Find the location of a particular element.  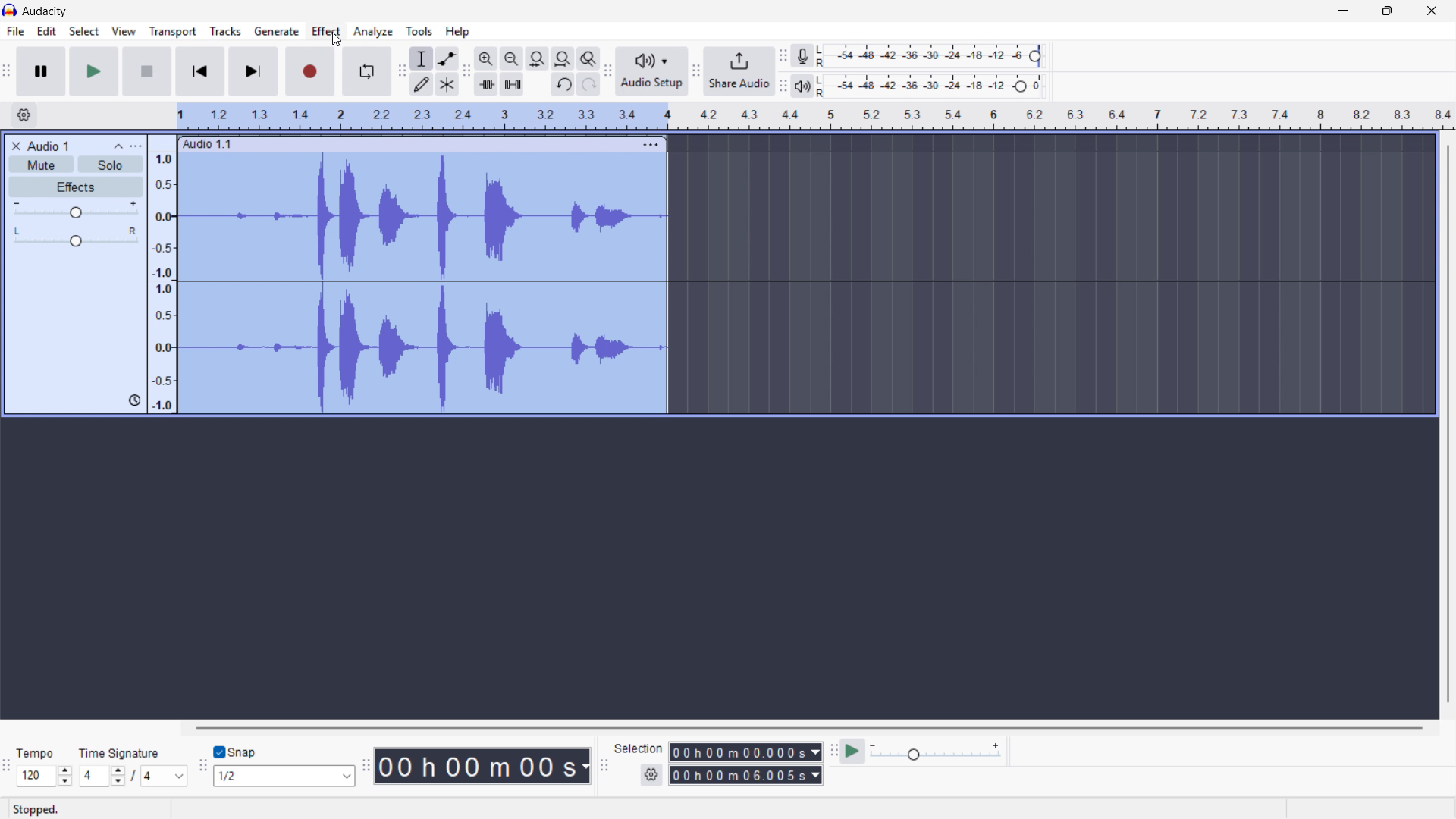

Skip to start  is located at coordinates (199, 71).